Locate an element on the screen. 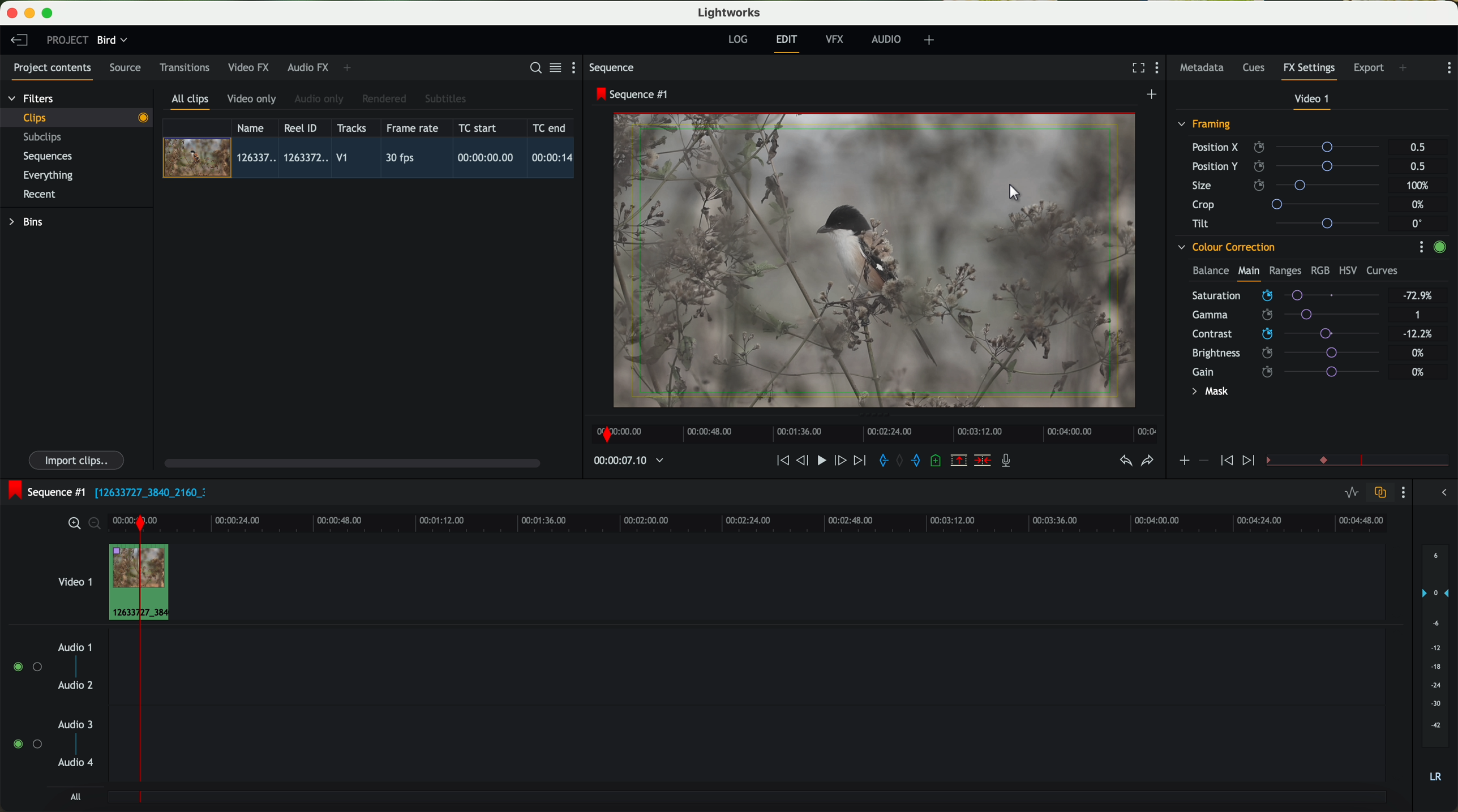  timeline is located at coordinates (826, 519).